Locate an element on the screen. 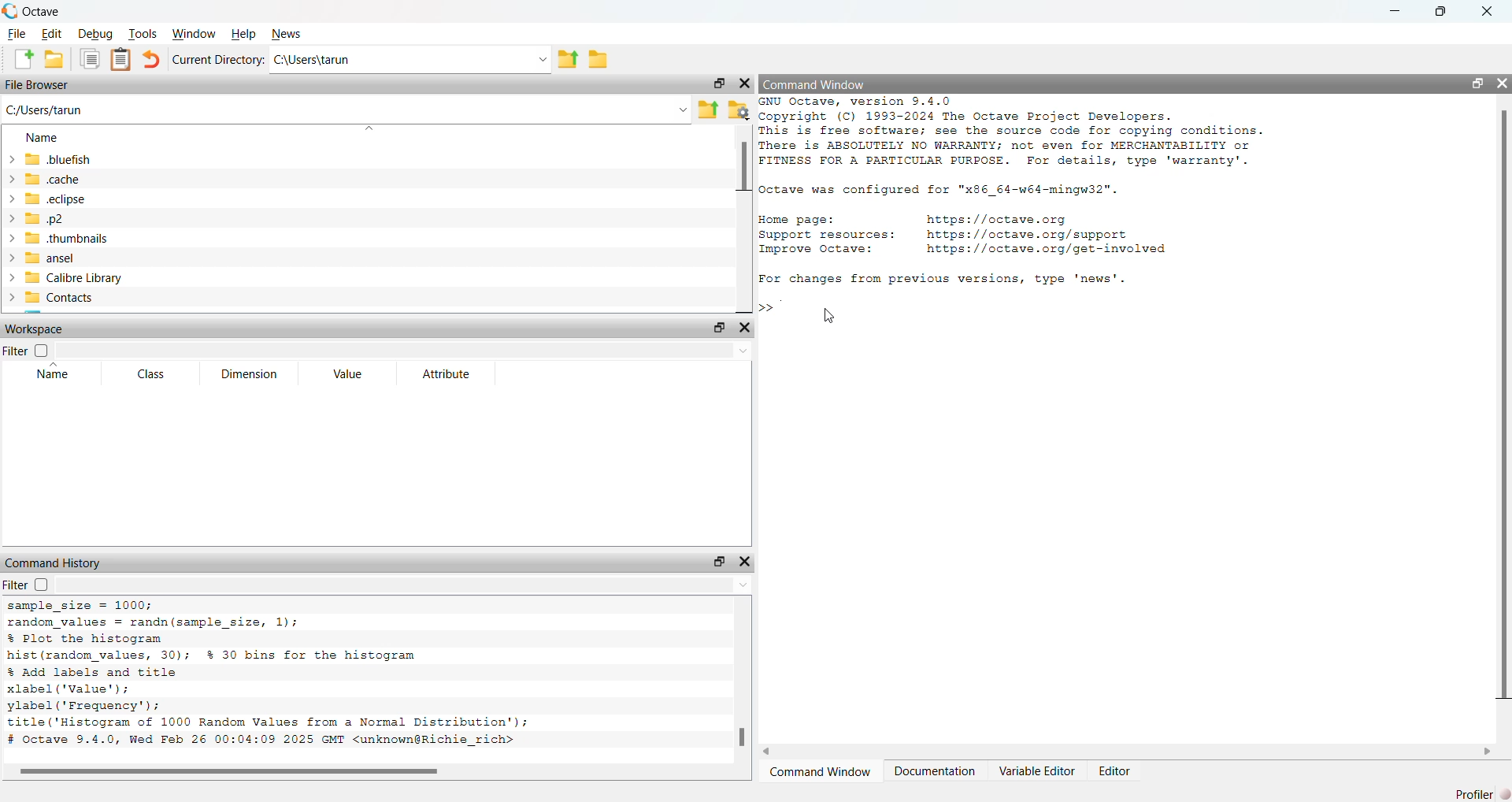  close is located at coordinates (743, 84).